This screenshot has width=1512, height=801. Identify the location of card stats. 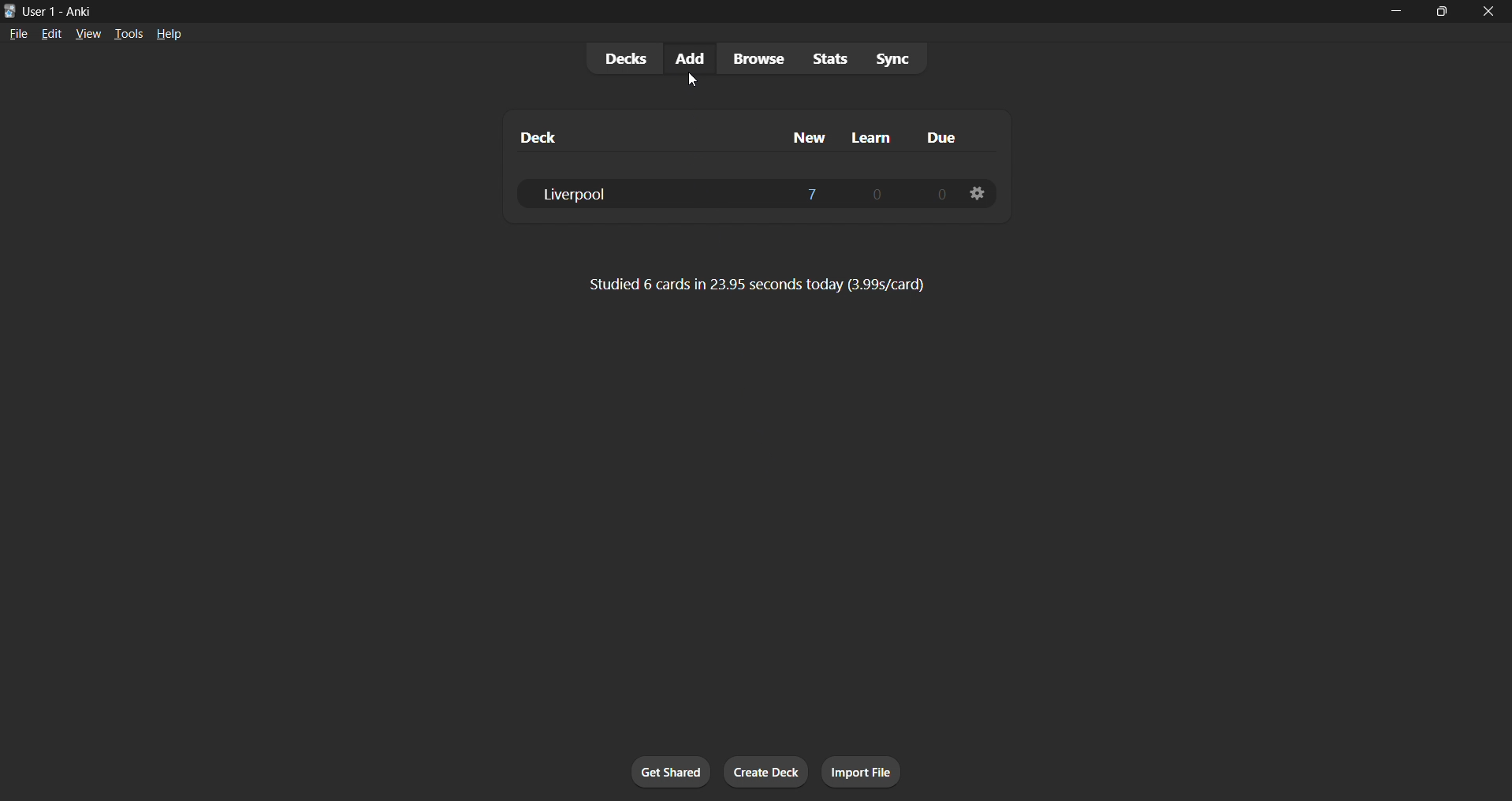
(756, 289).